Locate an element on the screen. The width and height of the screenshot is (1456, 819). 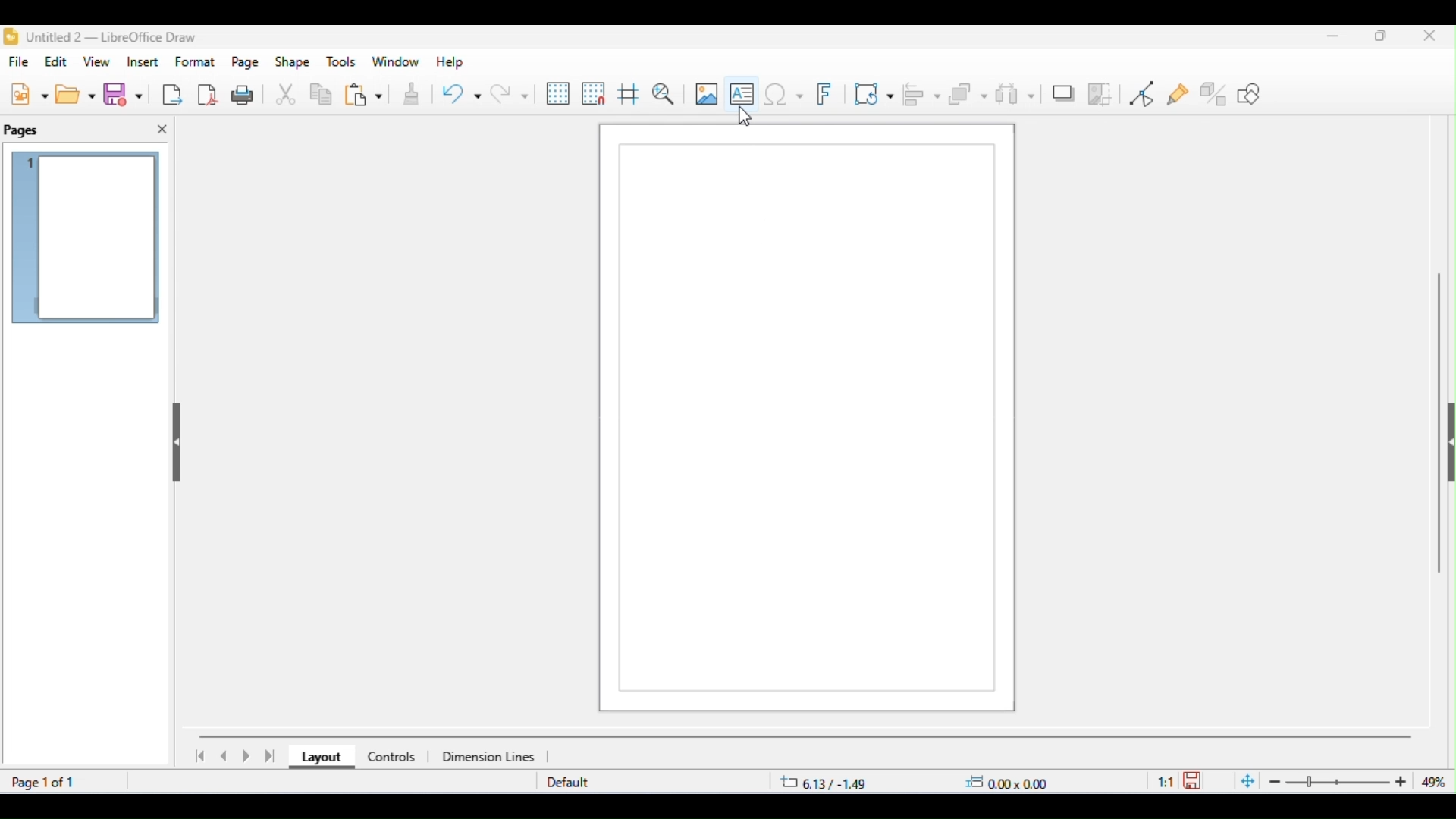
undo is located at coordinates (461, 96).